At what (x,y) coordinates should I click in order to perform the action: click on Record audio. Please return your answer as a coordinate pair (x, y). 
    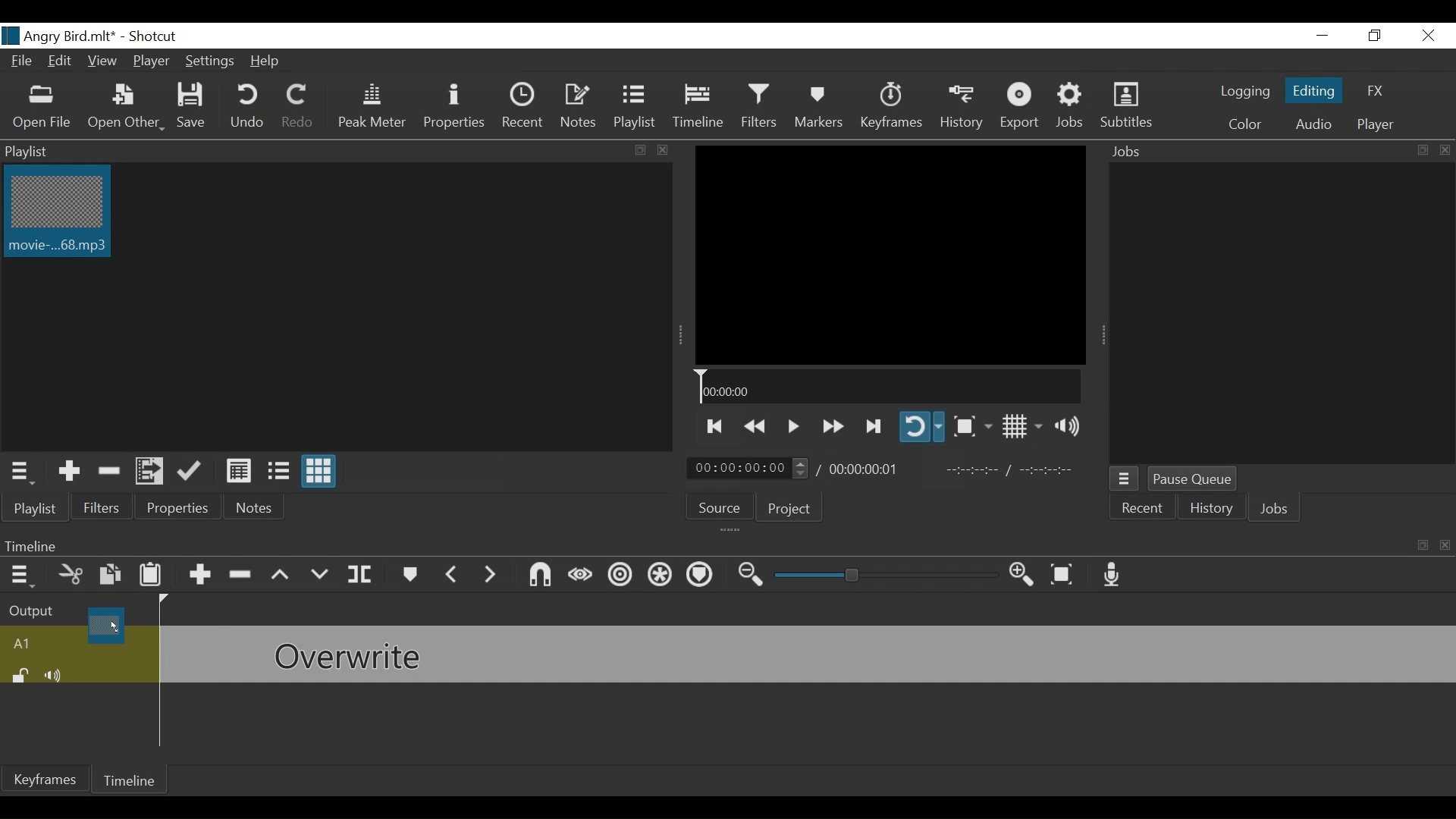
    Looking at the image, I should click on (1114, 576).